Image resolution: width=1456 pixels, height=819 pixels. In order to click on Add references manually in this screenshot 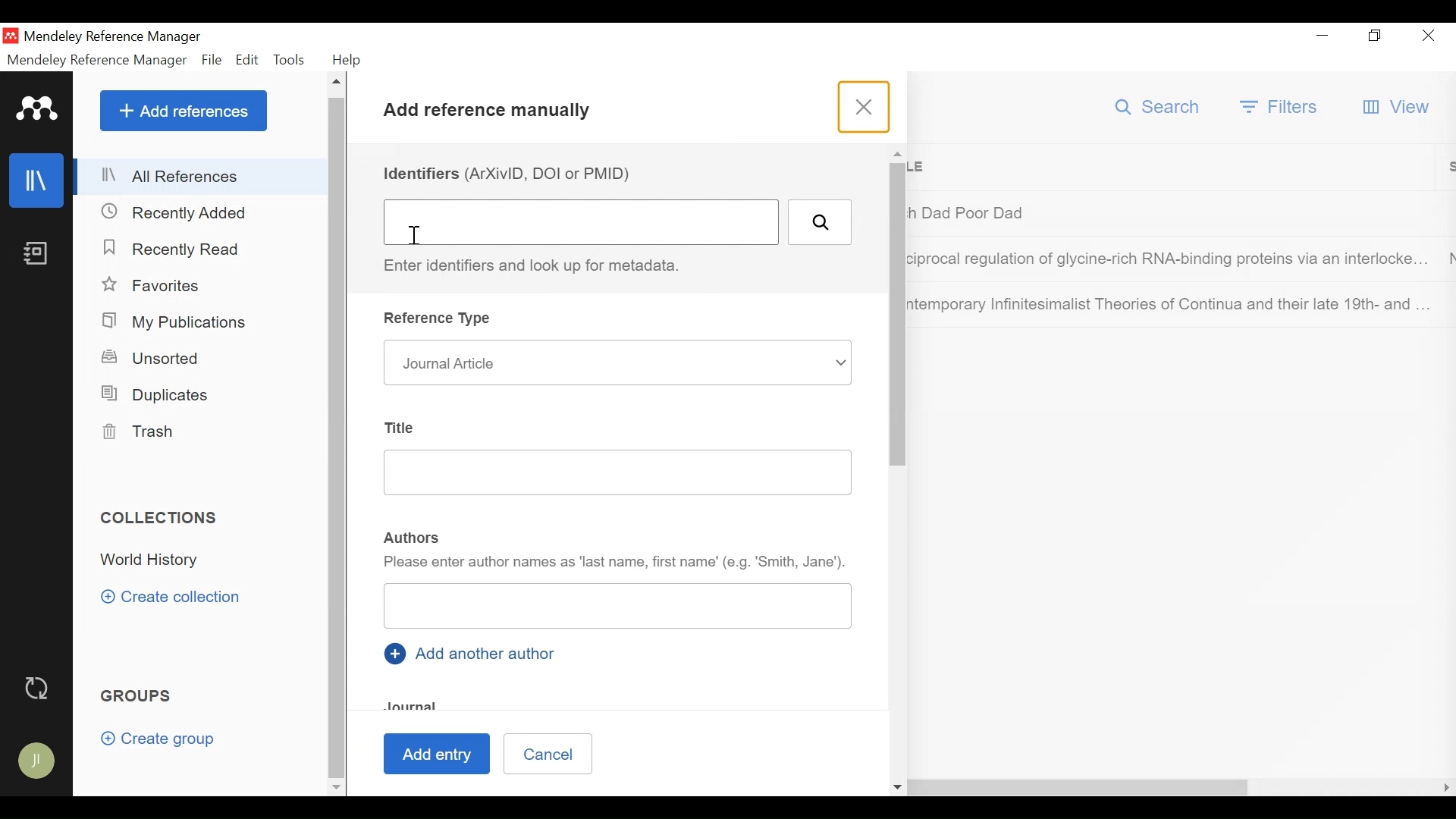, I will do `click(492, 113)`.